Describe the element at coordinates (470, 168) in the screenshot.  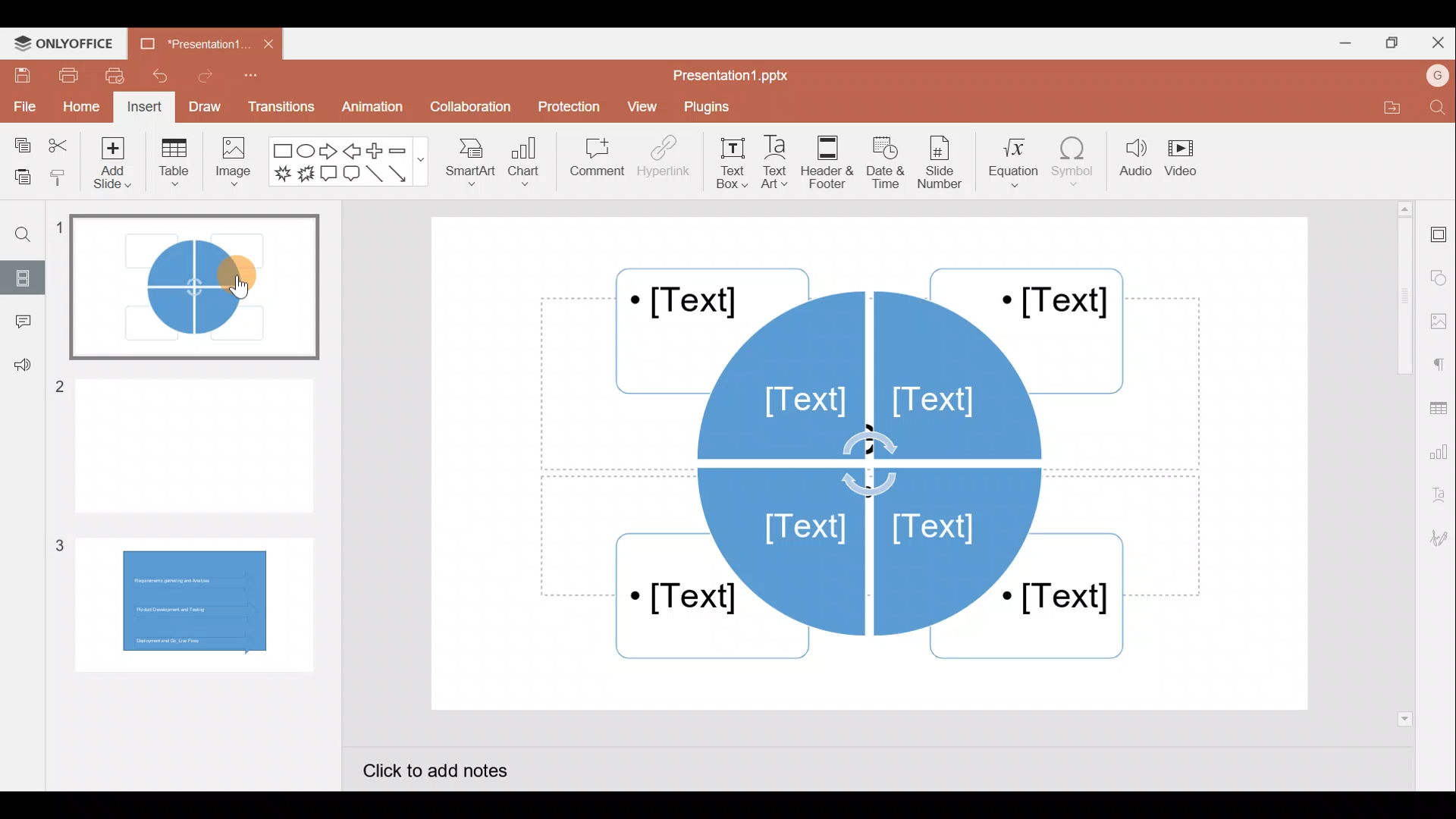
I see `SmartArt` at that location.